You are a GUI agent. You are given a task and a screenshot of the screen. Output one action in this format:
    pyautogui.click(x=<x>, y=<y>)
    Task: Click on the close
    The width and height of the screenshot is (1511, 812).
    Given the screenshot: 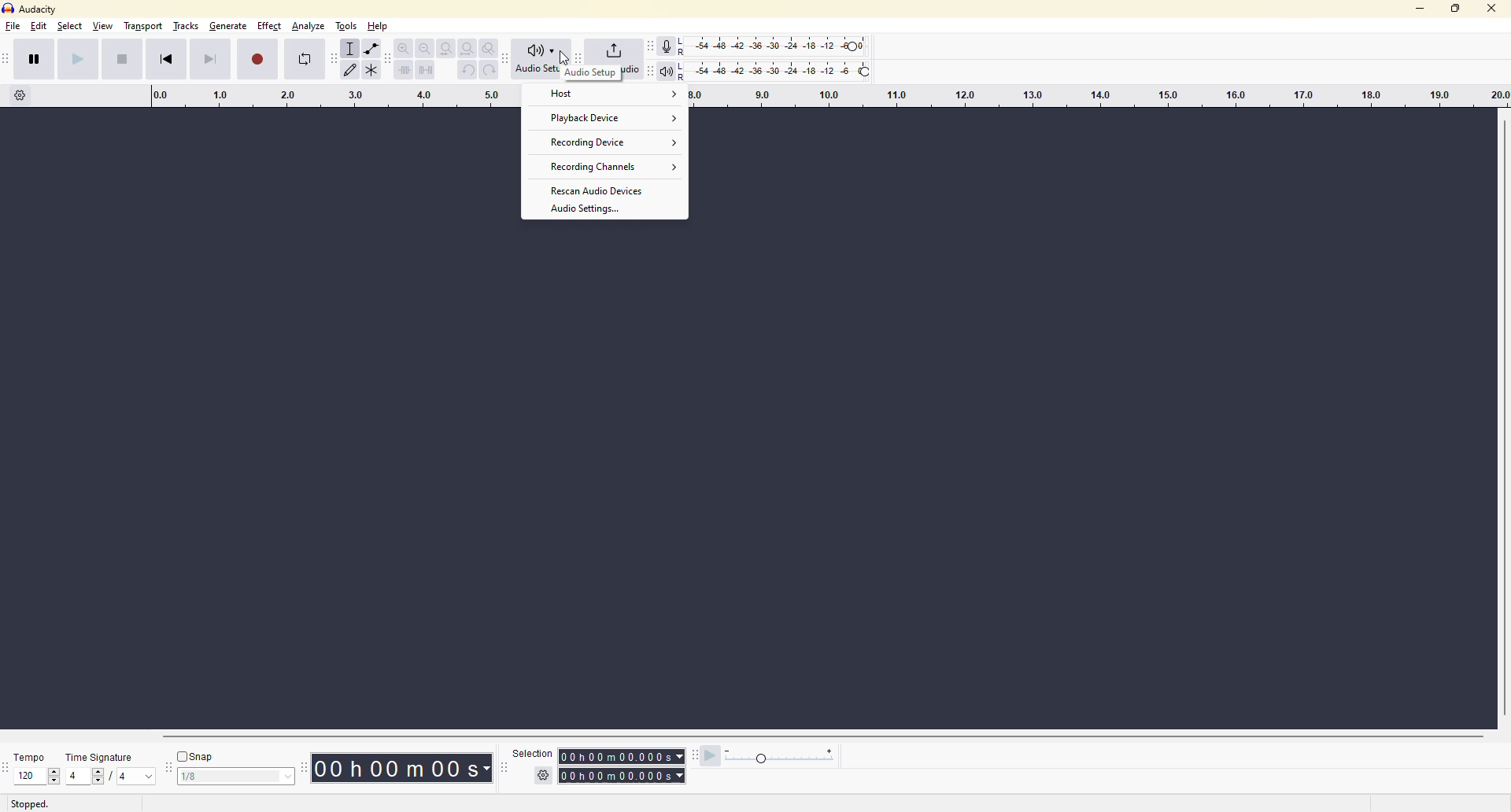 What is the action you would take?
    pyautogui.click(x=1491, y=11)
    